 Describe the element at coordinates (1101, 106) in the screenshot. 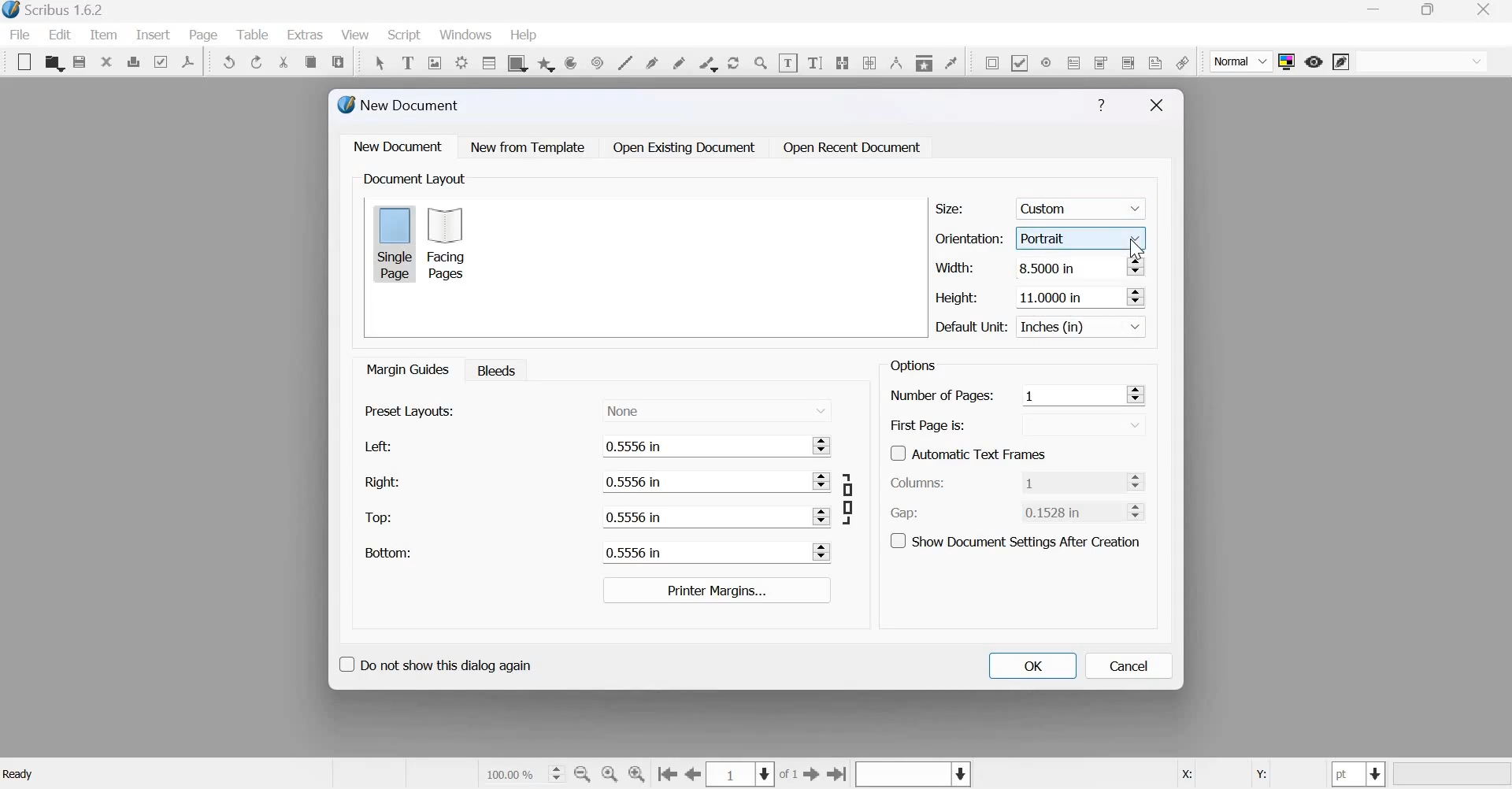

I see `Help` at that location.